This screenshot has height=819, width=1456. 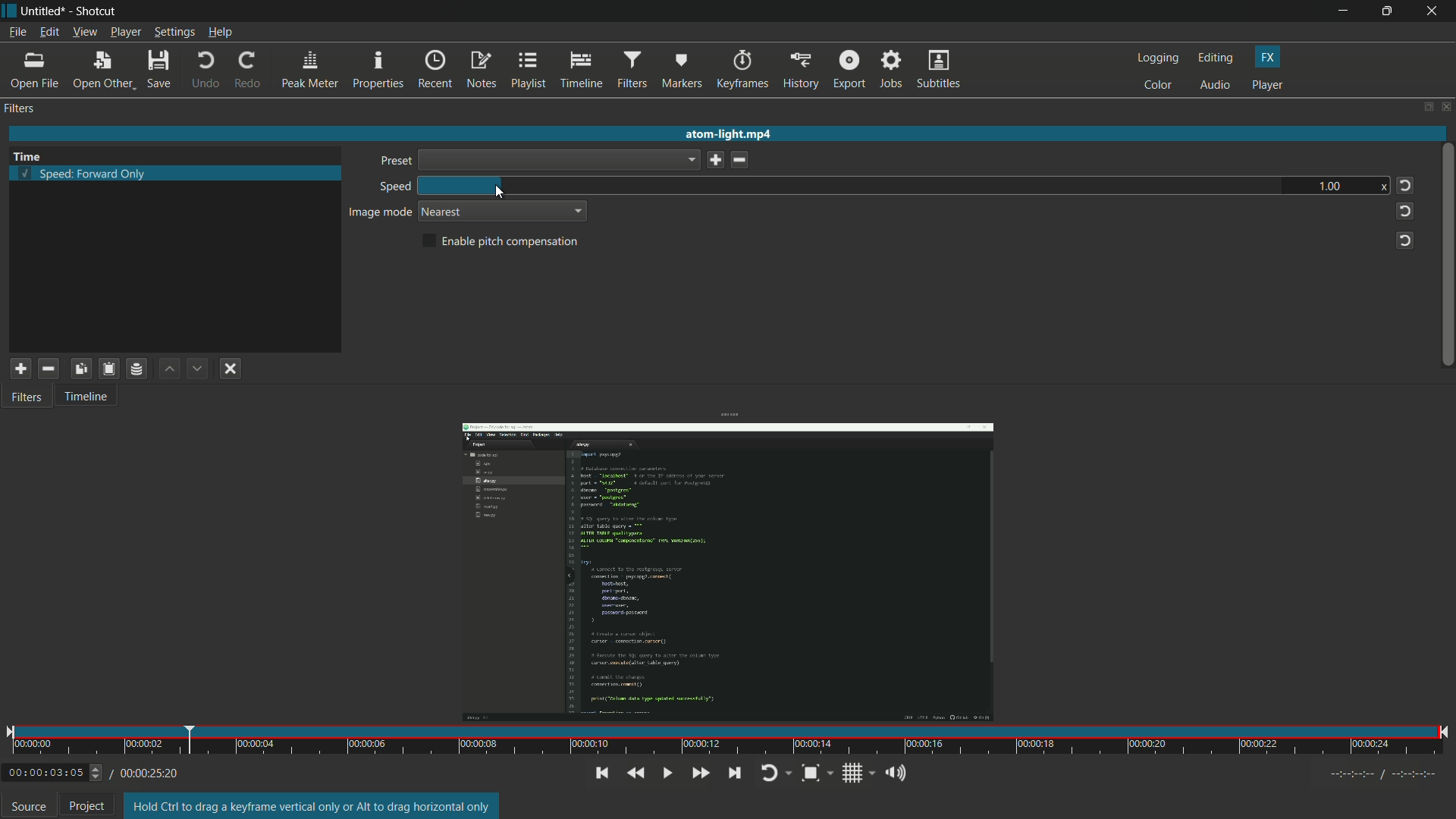 I want to click on properties, so click(x=379, y=70).